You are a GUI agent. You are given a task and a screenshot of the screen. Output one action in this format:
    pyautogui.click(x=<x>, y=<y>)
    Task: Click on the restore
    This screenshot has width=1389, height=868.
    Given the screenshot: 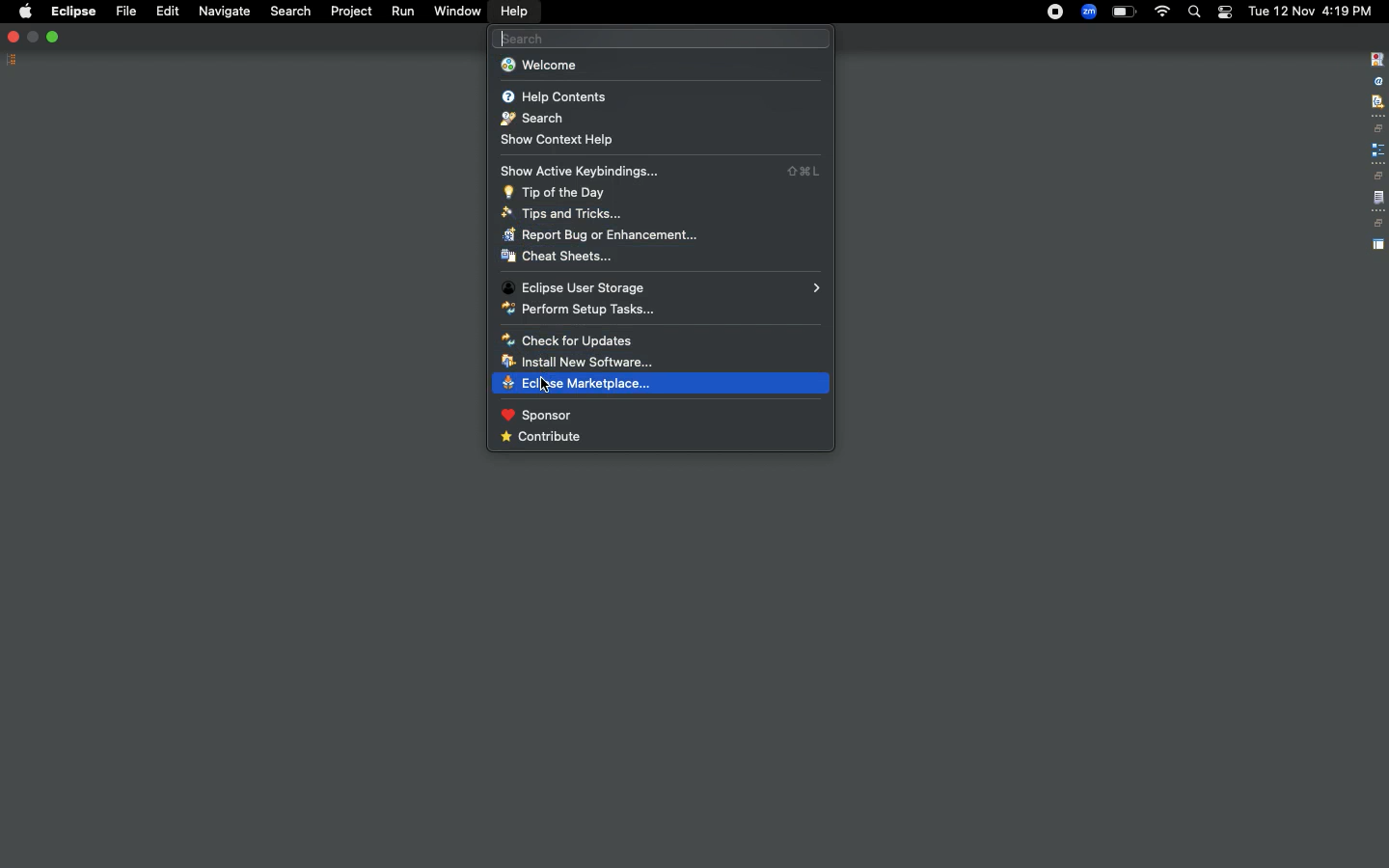 What is the action you would take?
    pyautogui.click(x=1377, y=224)
    